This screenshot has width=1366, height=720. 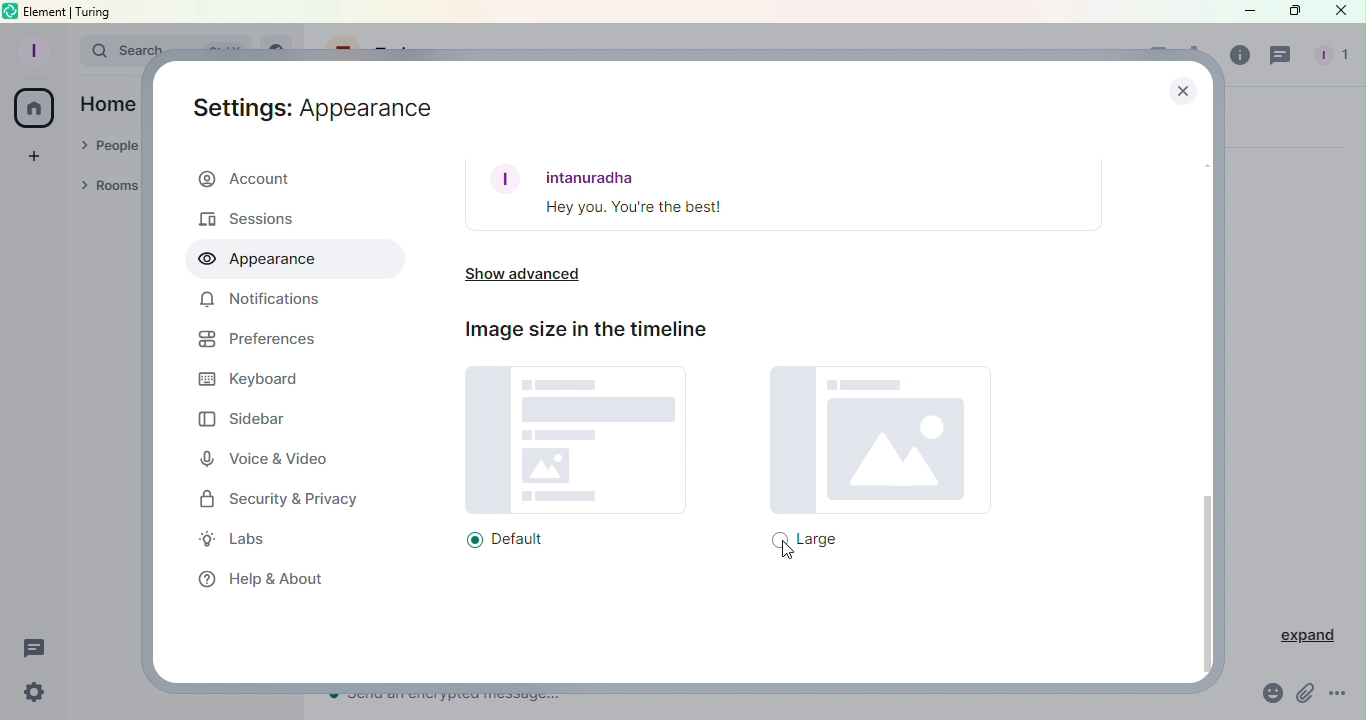 What do you see at coordinates (570, 459) in the screenshot?
I see `Default` at bounding box center [570, 459].